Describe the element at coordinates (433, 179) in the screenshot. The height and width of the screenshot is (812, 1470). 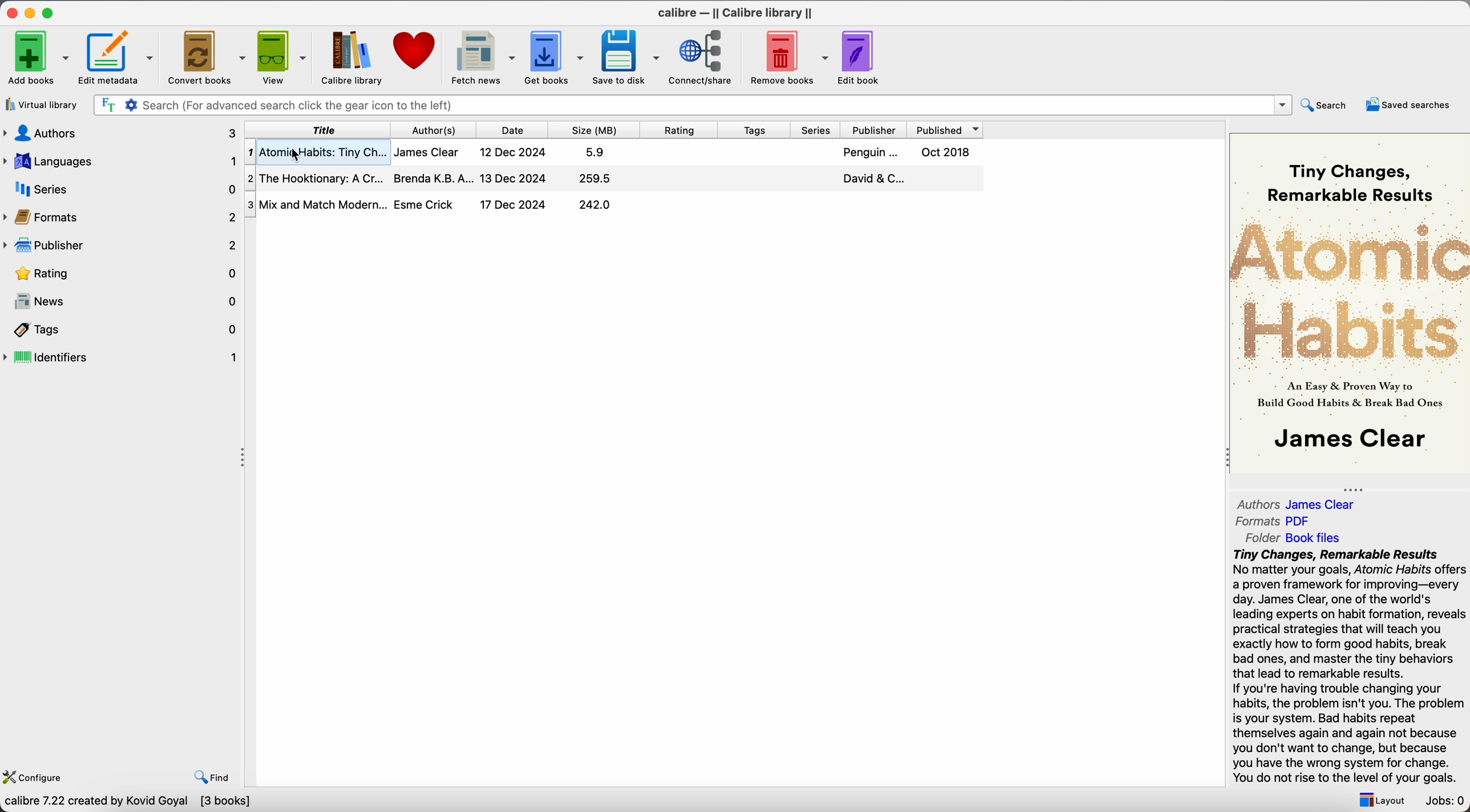
I see `Brenda K.B.A...` at that location.